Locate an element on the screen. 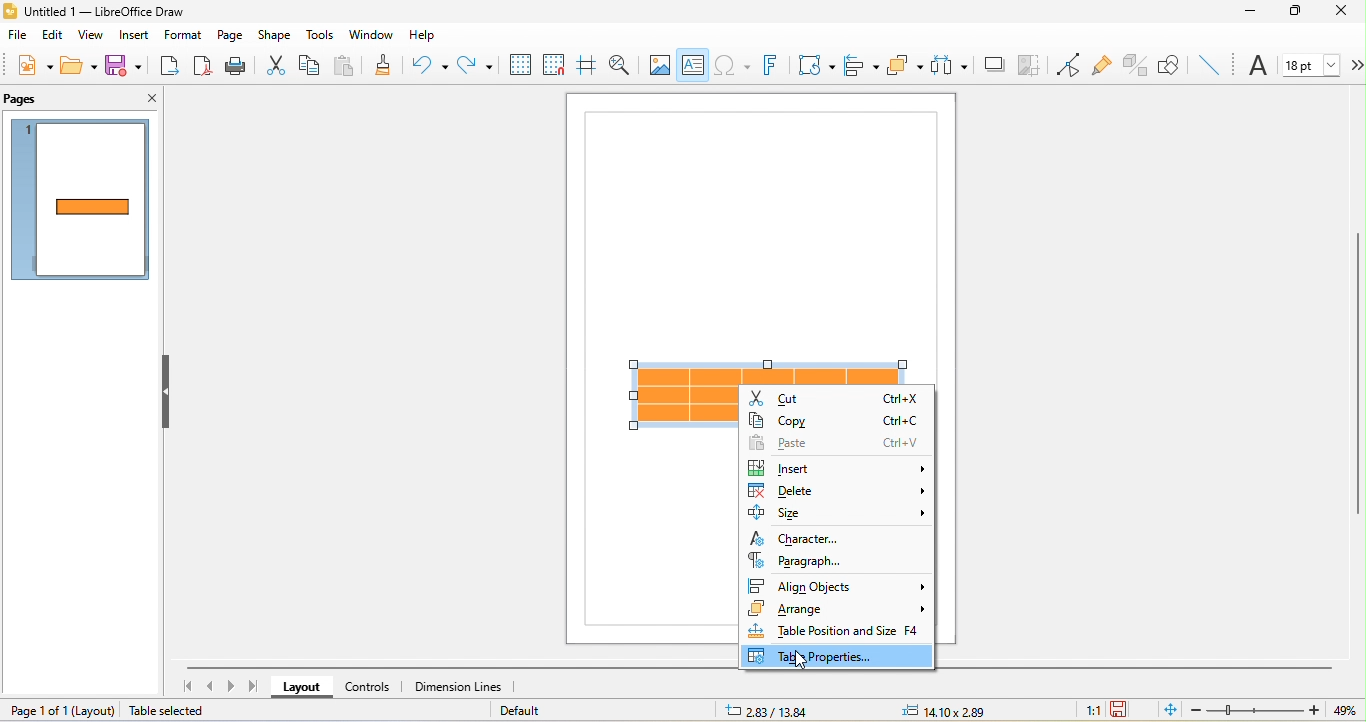  display to grids is located at coordinates (518, 64).